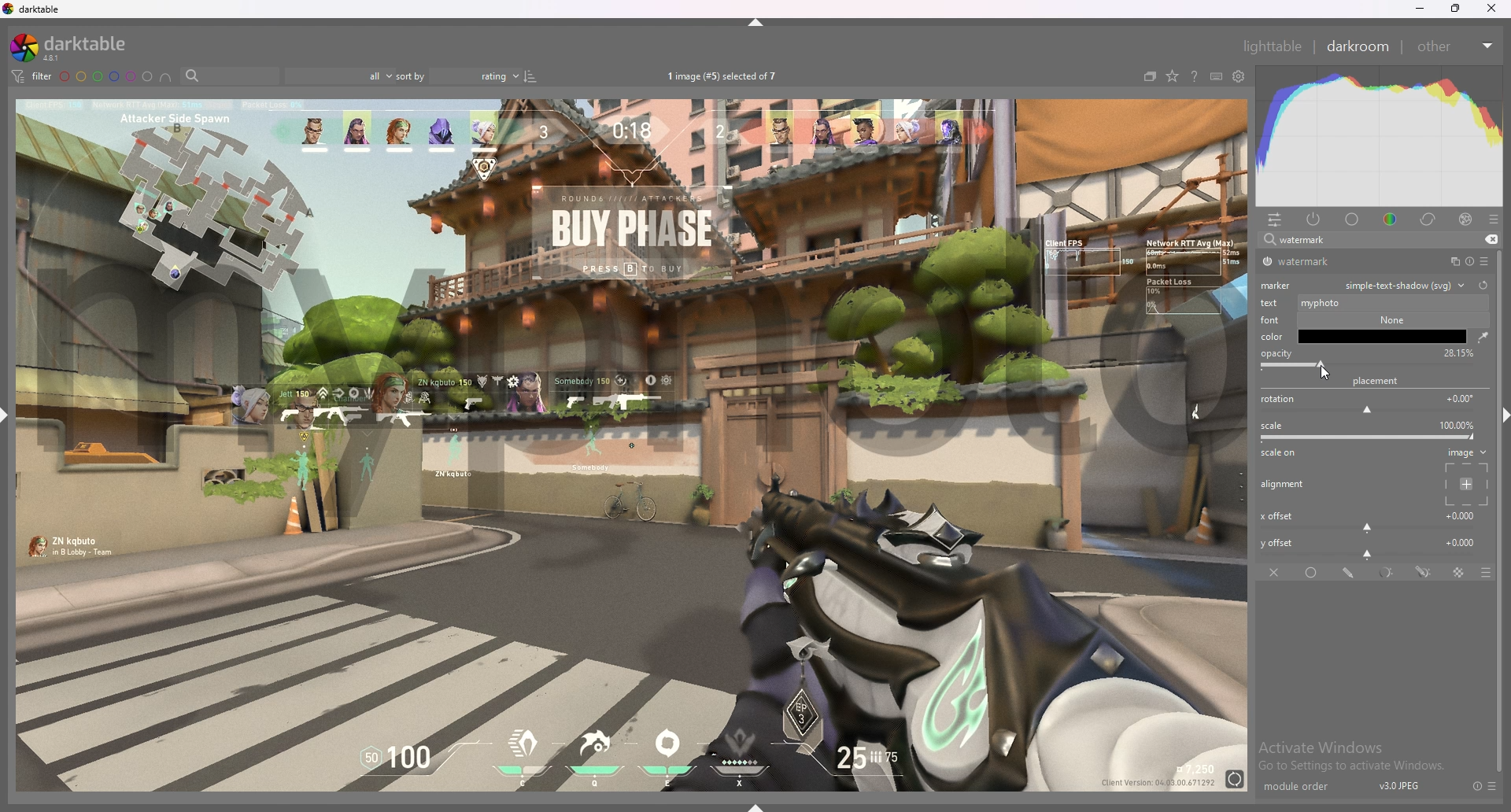 The image size is (1511, 812). I want to click on multiple instances action, so click(1450, 262).